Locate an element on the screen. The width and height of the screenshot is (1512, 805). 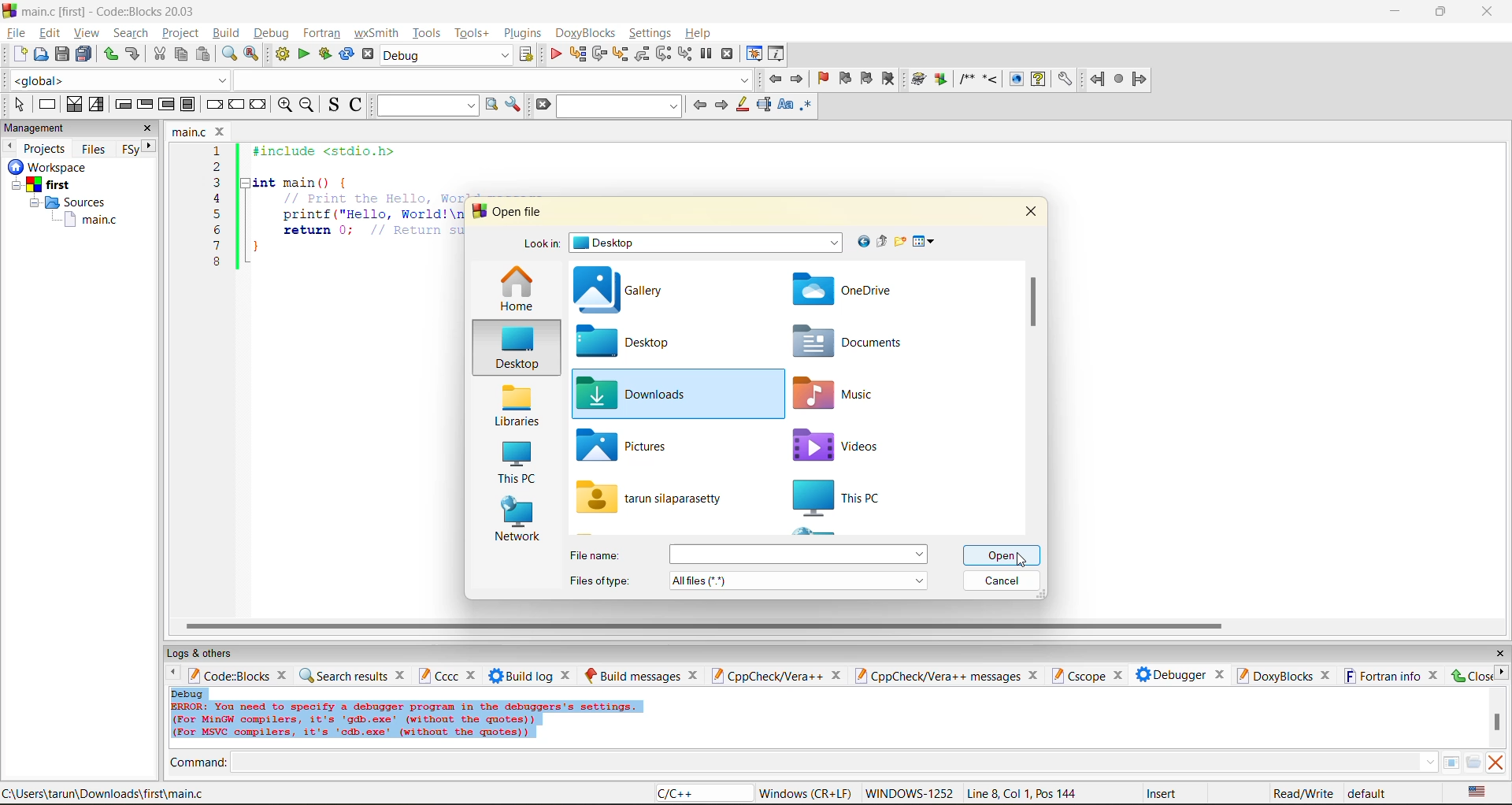
menu is located at coordinates (798, 555).